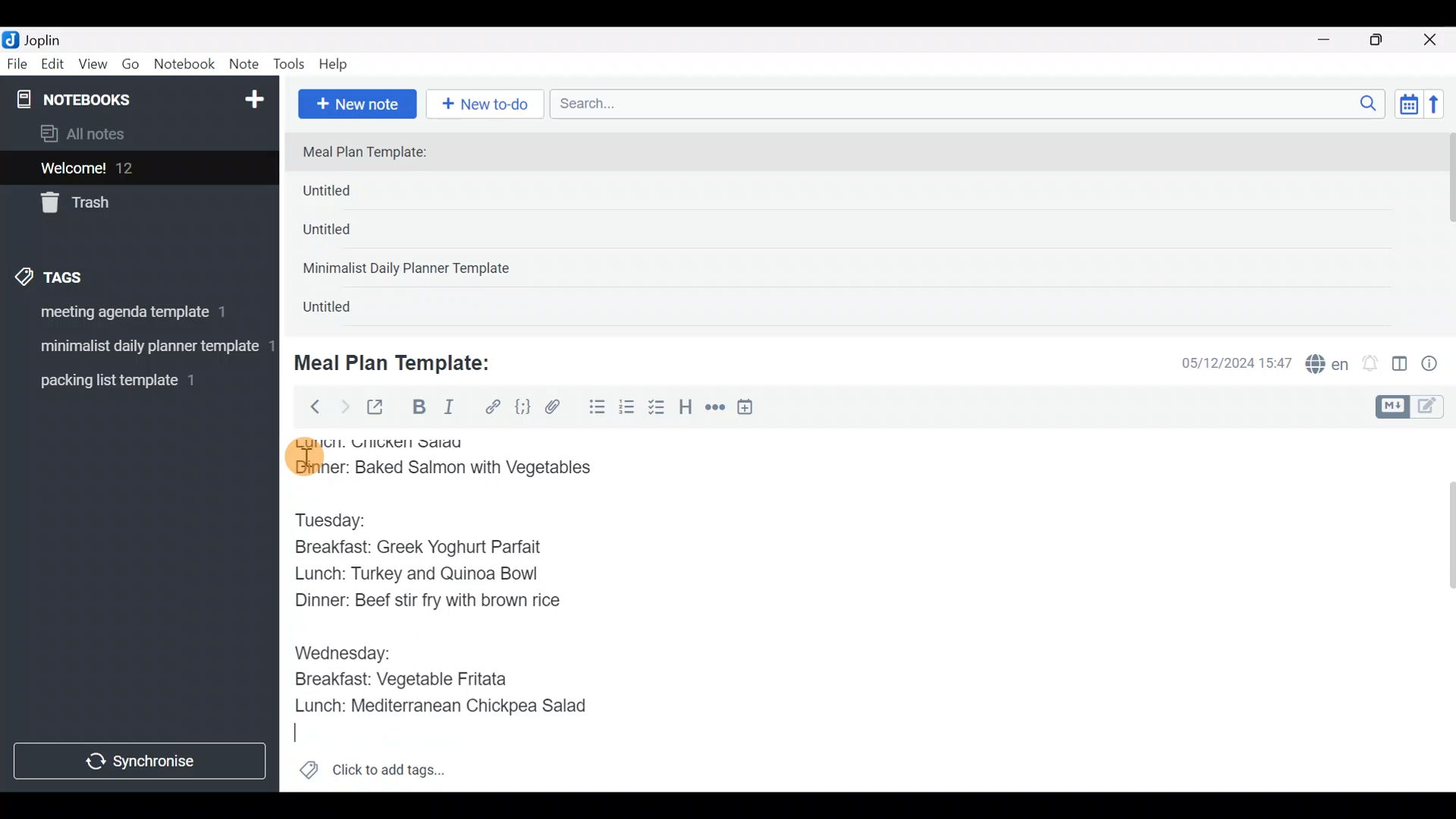 The image size is (1456, 819). What do you see at coordinates (344, 406) in the screenshot?
I see `Forward` at bounding box center [344, 406].